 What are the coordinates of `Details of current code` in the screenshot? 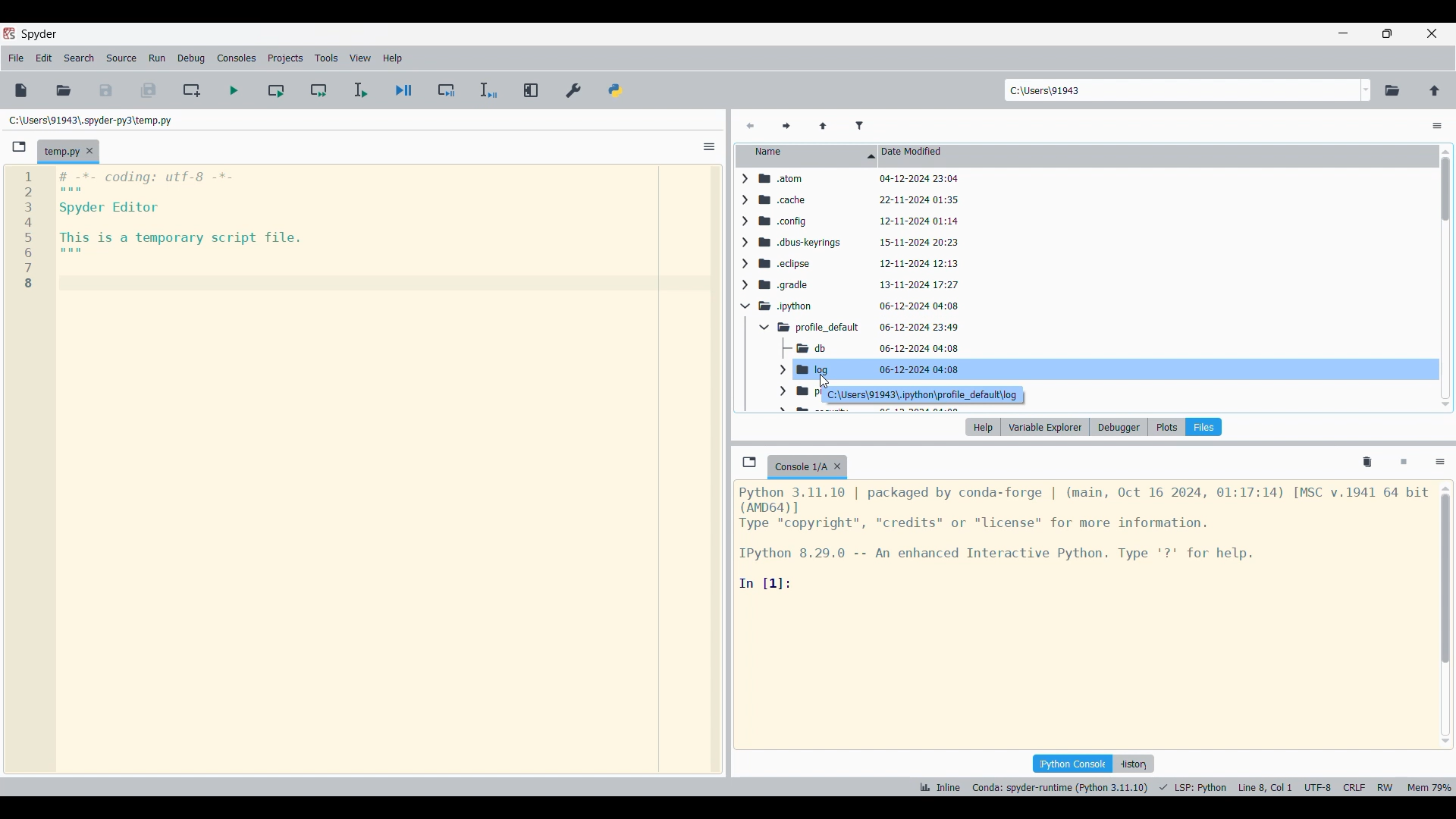 It's located at (1185, 787).